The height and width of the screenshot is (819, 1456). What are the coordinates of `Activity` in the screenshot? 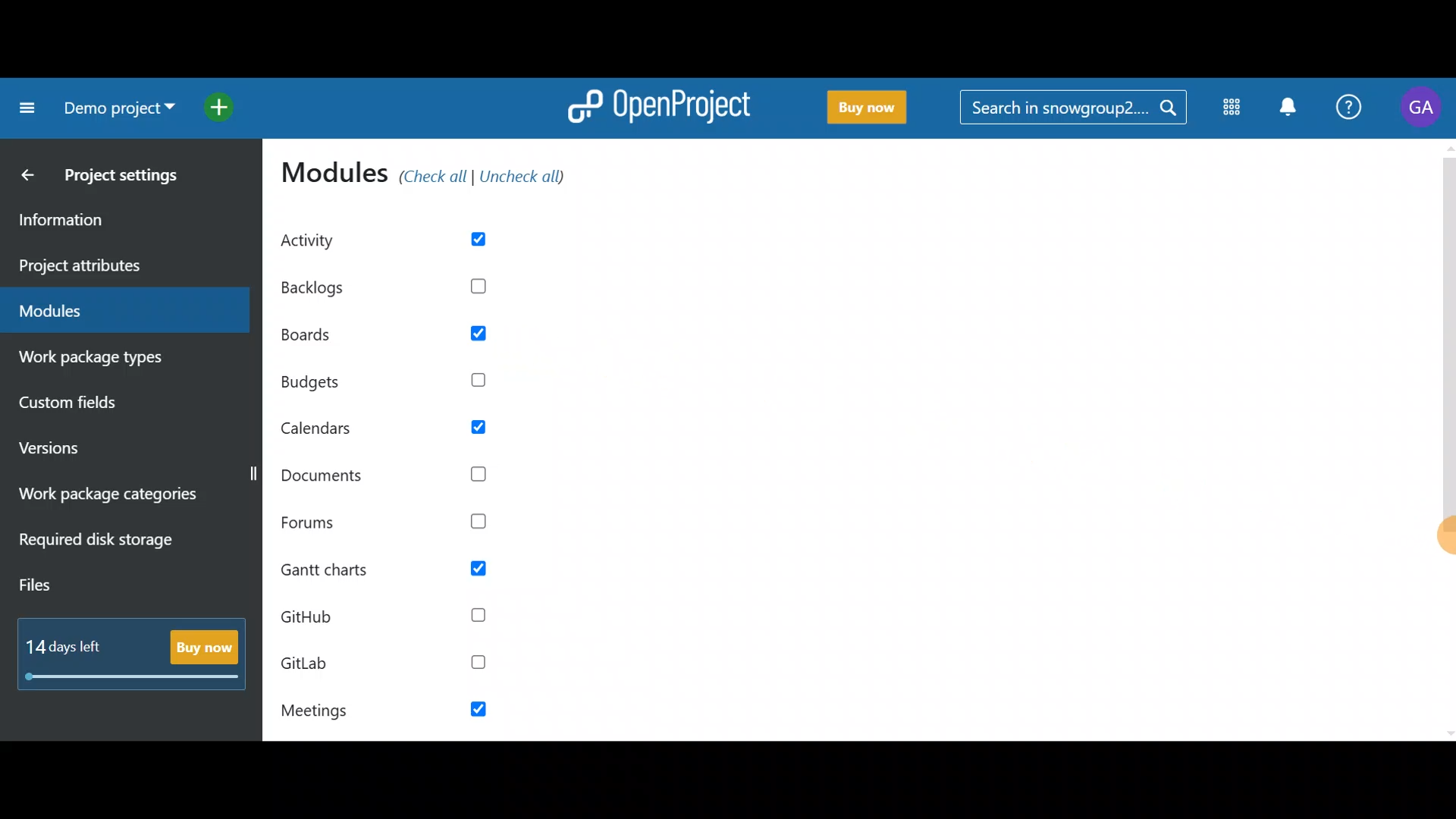 It's located at (400, 240).